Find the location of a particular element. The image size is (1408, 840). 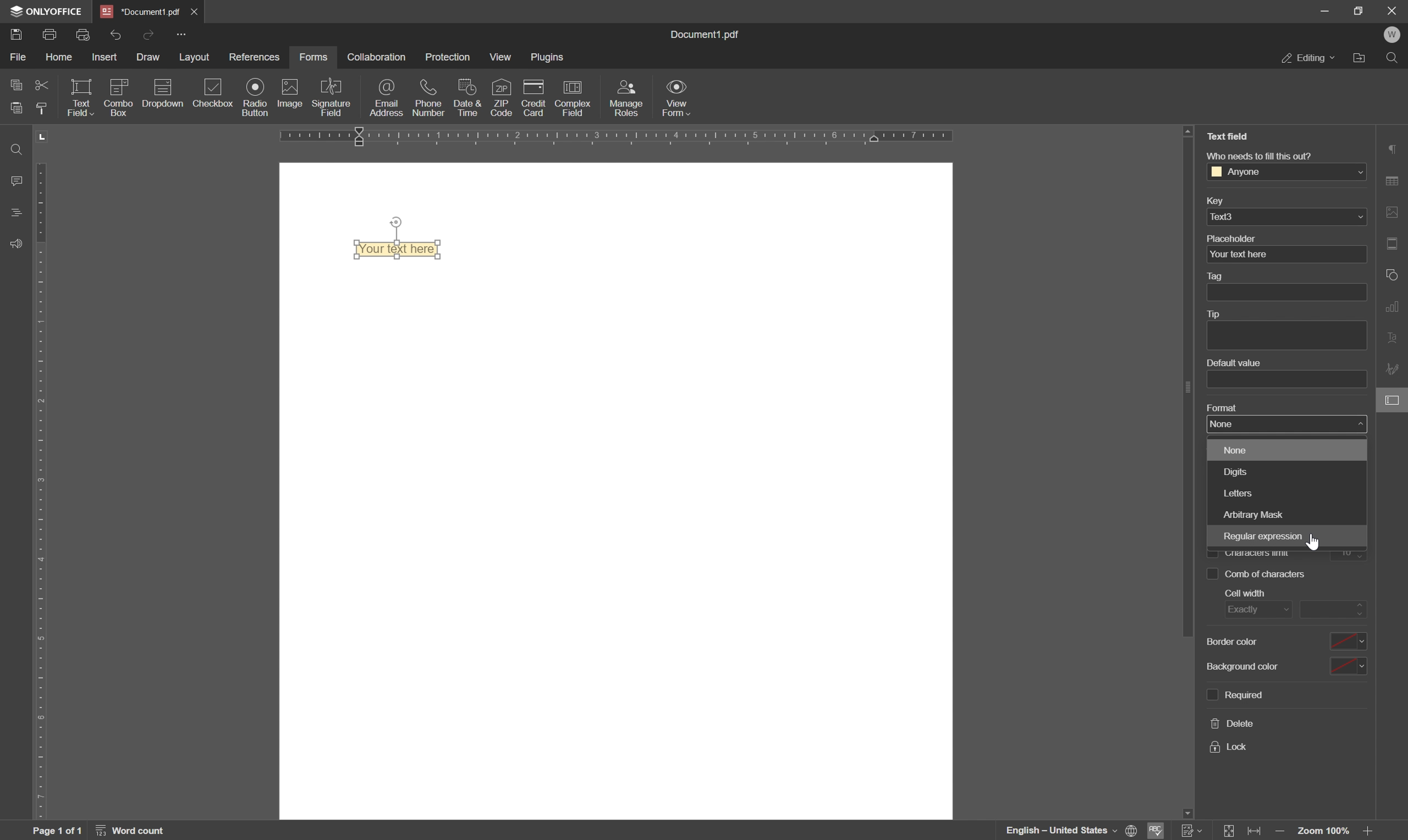

checkbox is located at coordinates (1212, 552).